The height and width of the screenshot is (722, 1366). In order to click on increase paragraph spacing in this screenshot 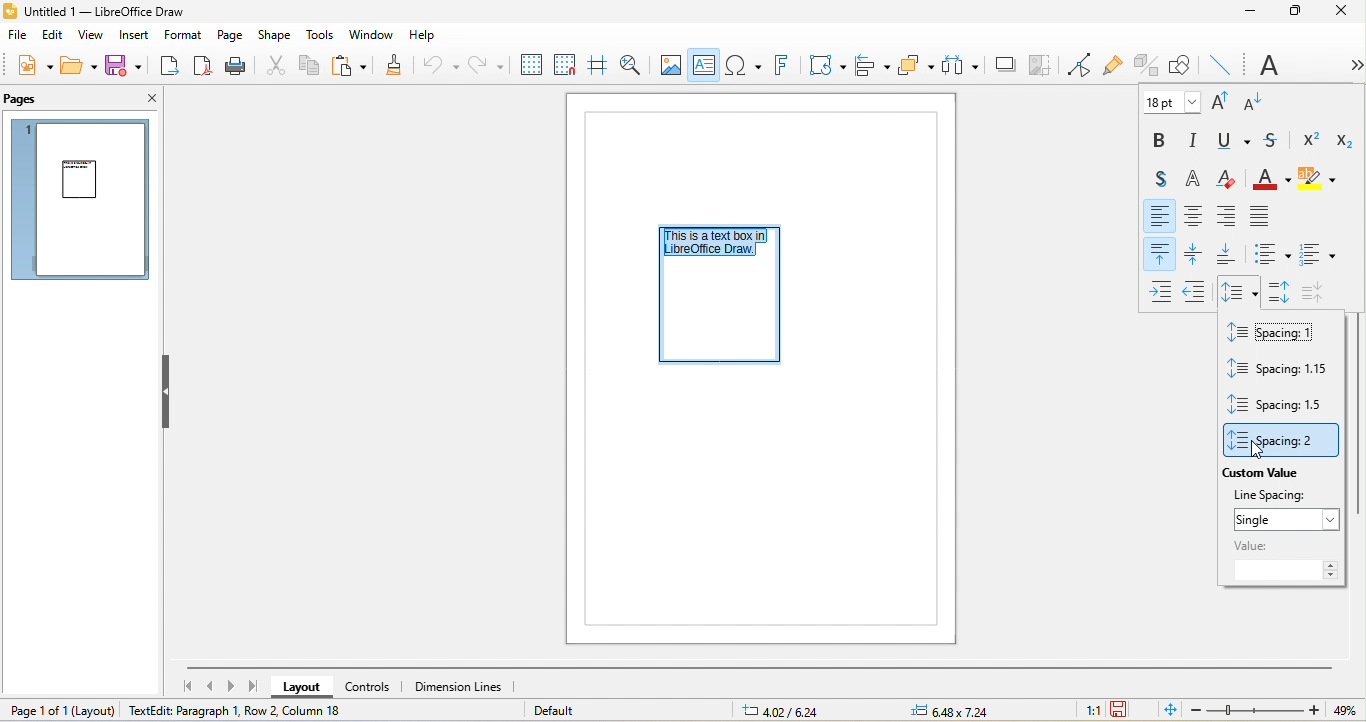, I will do `click(1279, 287)`.